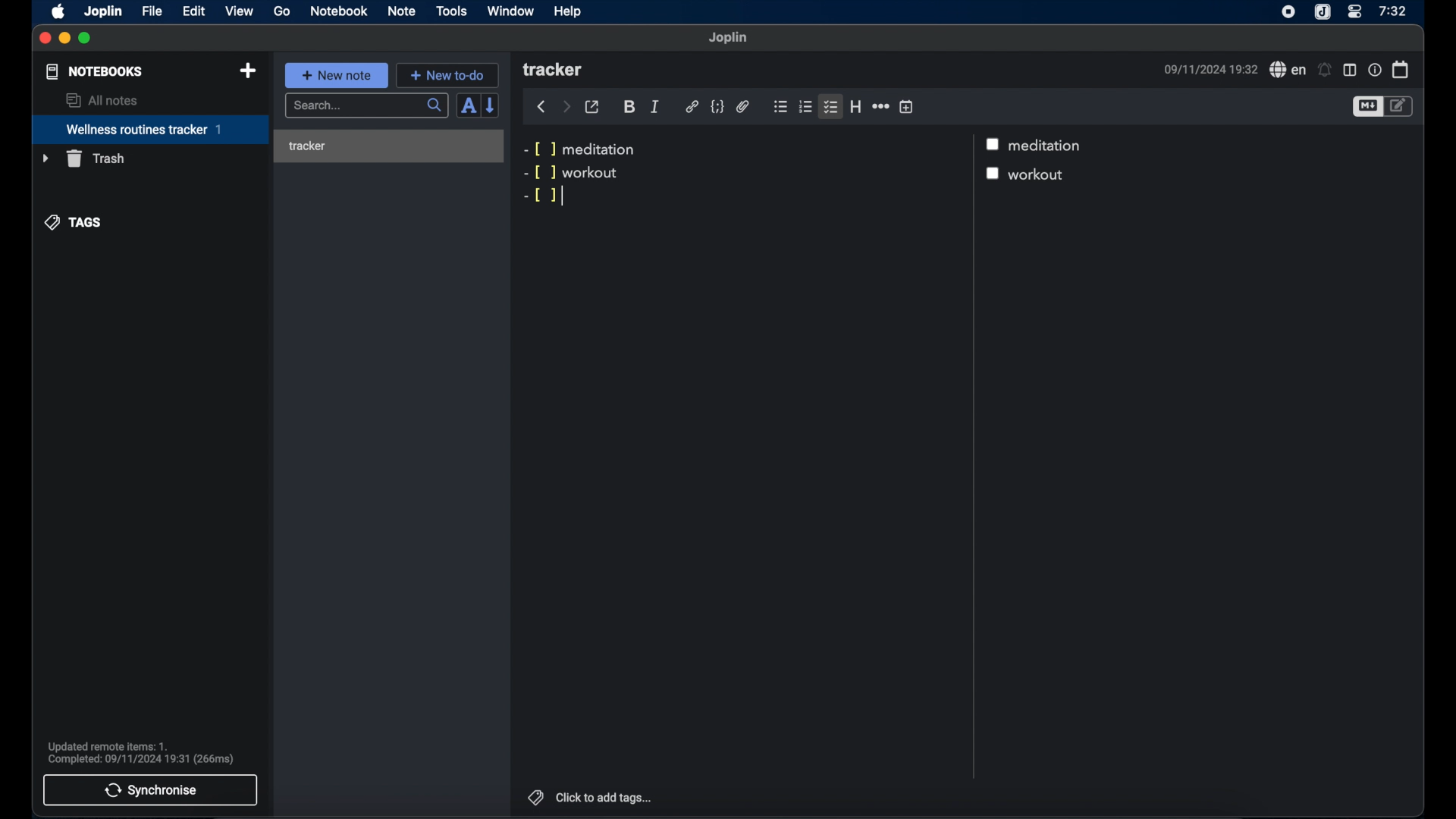 The height and width of the screenshot is (819, 1456). What do you see at coordinates (780, 107) in the screenshot?
I see `bulleted list` at bounding box center [780, 107].